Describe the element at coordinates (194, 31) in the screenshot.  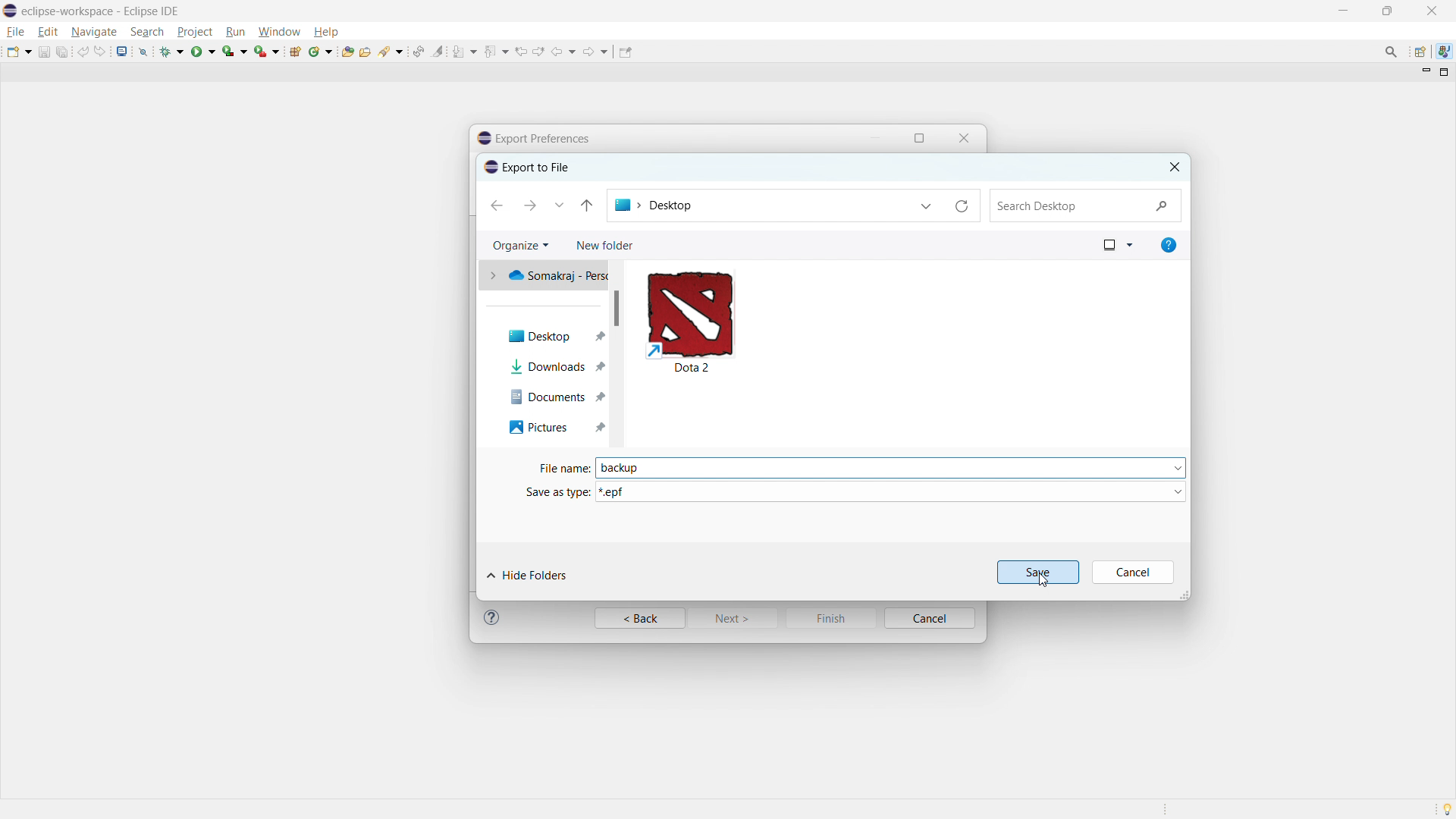
I see `project` at that location.